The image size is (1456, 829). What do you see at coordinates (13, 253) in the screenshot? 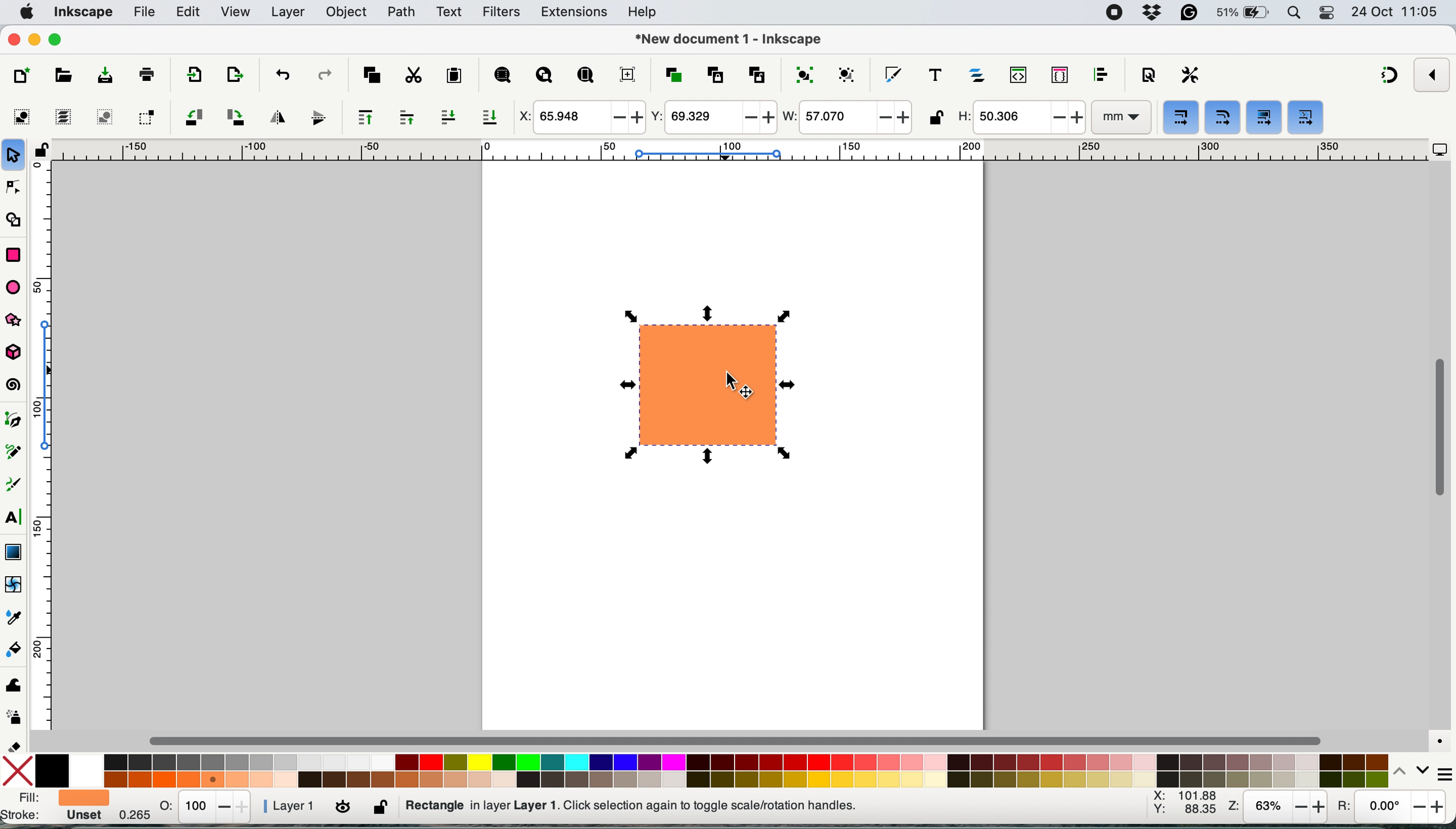
I see `rectangle tool` at bounding box center [13, 253].